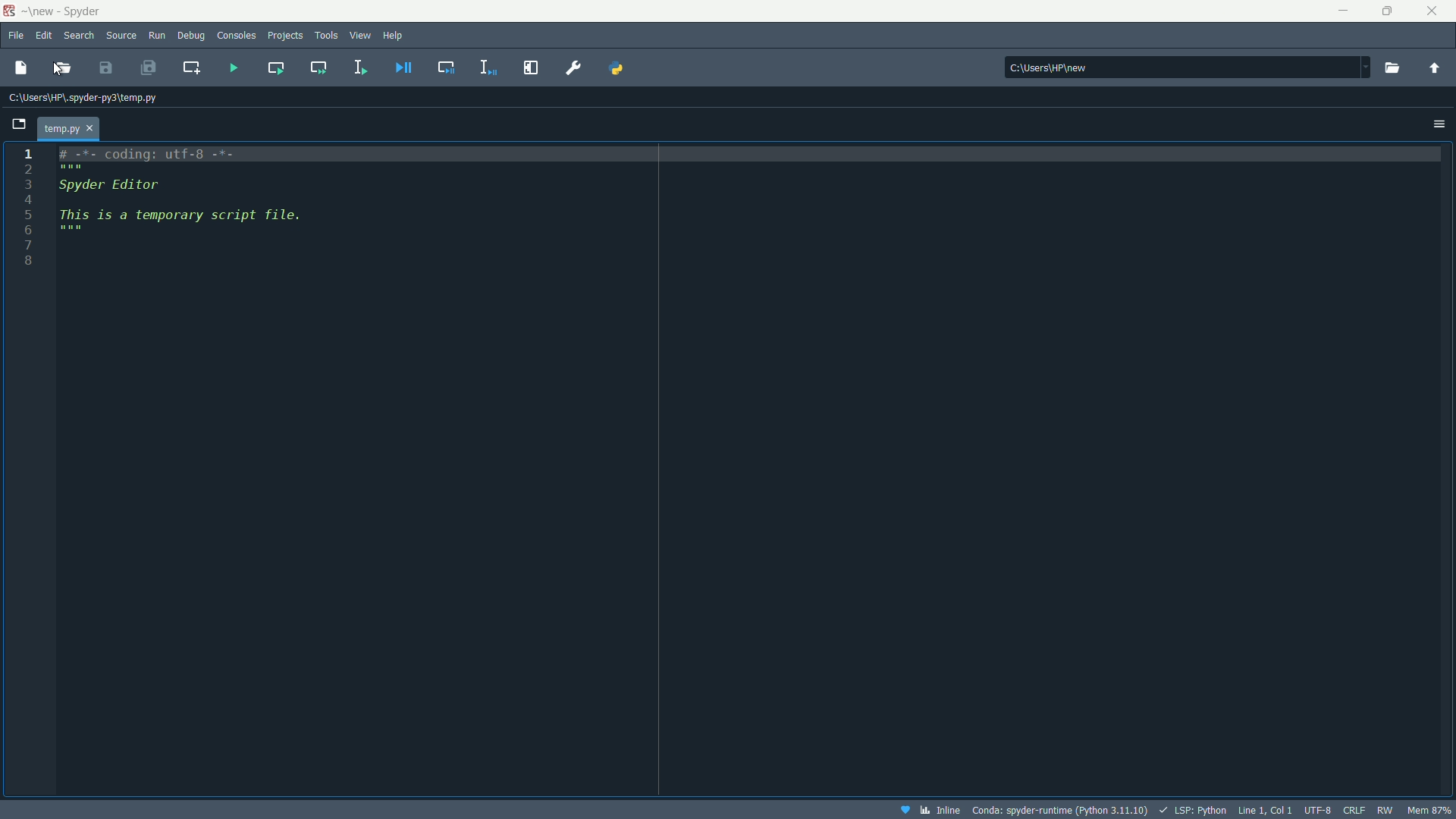 The width and height of the screenshot is (1456, 819). I want to click on file encoding, so click(1319, 810).